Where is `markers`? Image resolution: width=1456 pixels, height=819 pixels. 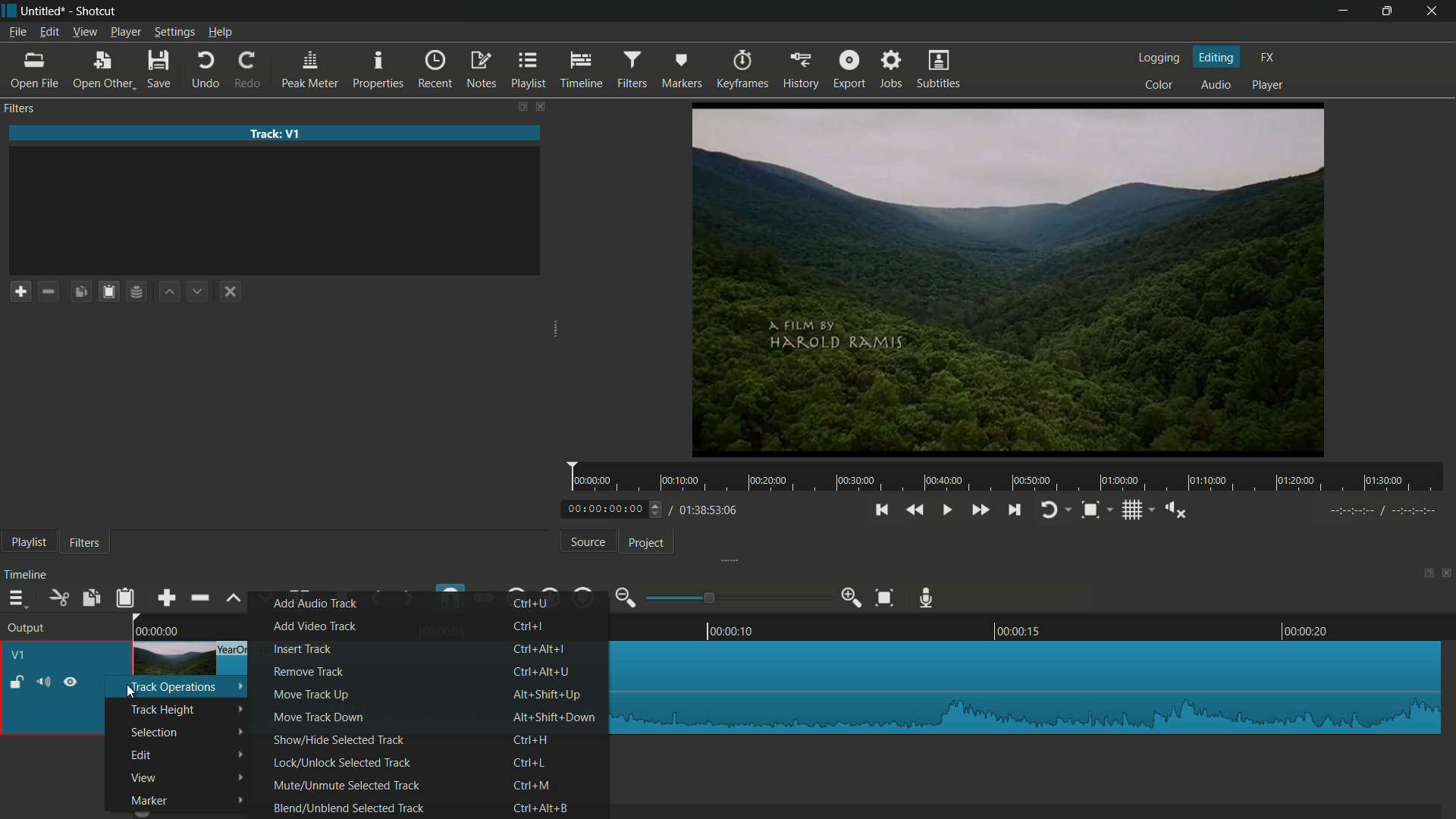 markers is located at coordinates (680, 71).